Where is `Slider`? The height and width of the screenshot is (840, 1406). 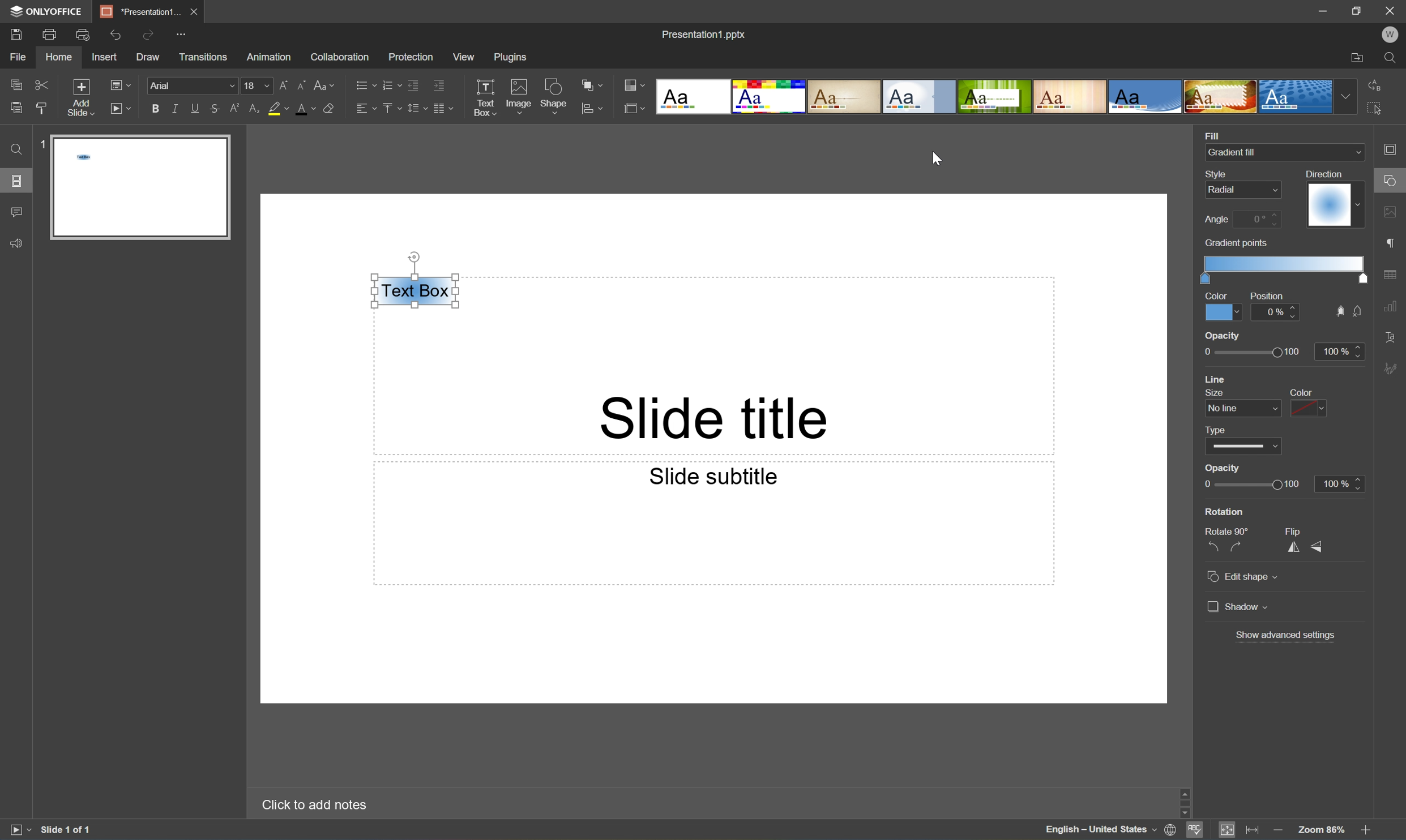 Slider is located at coordinates (1249, 352).